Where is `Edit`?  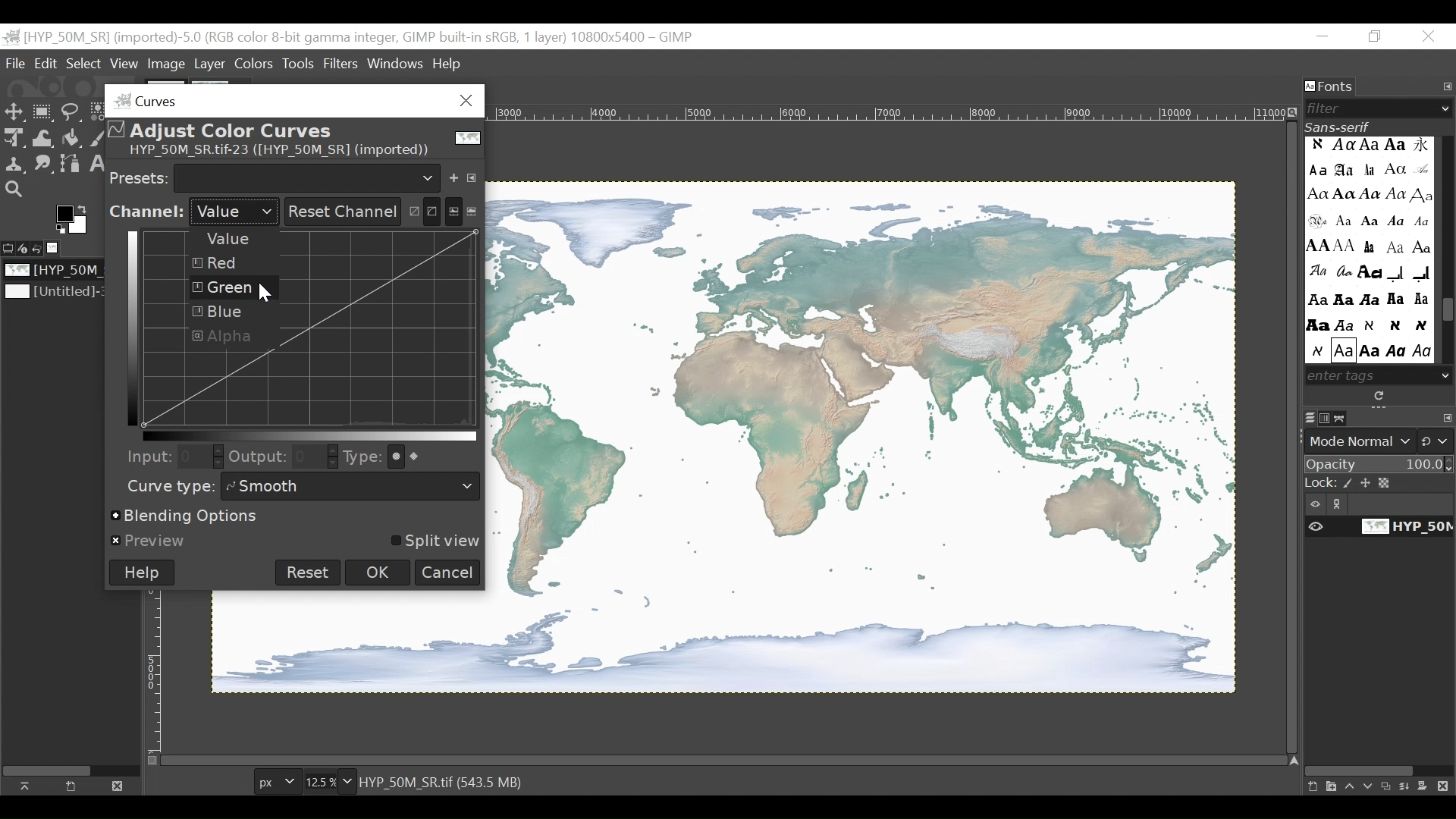
Edit is located at coordinates (47, 64).